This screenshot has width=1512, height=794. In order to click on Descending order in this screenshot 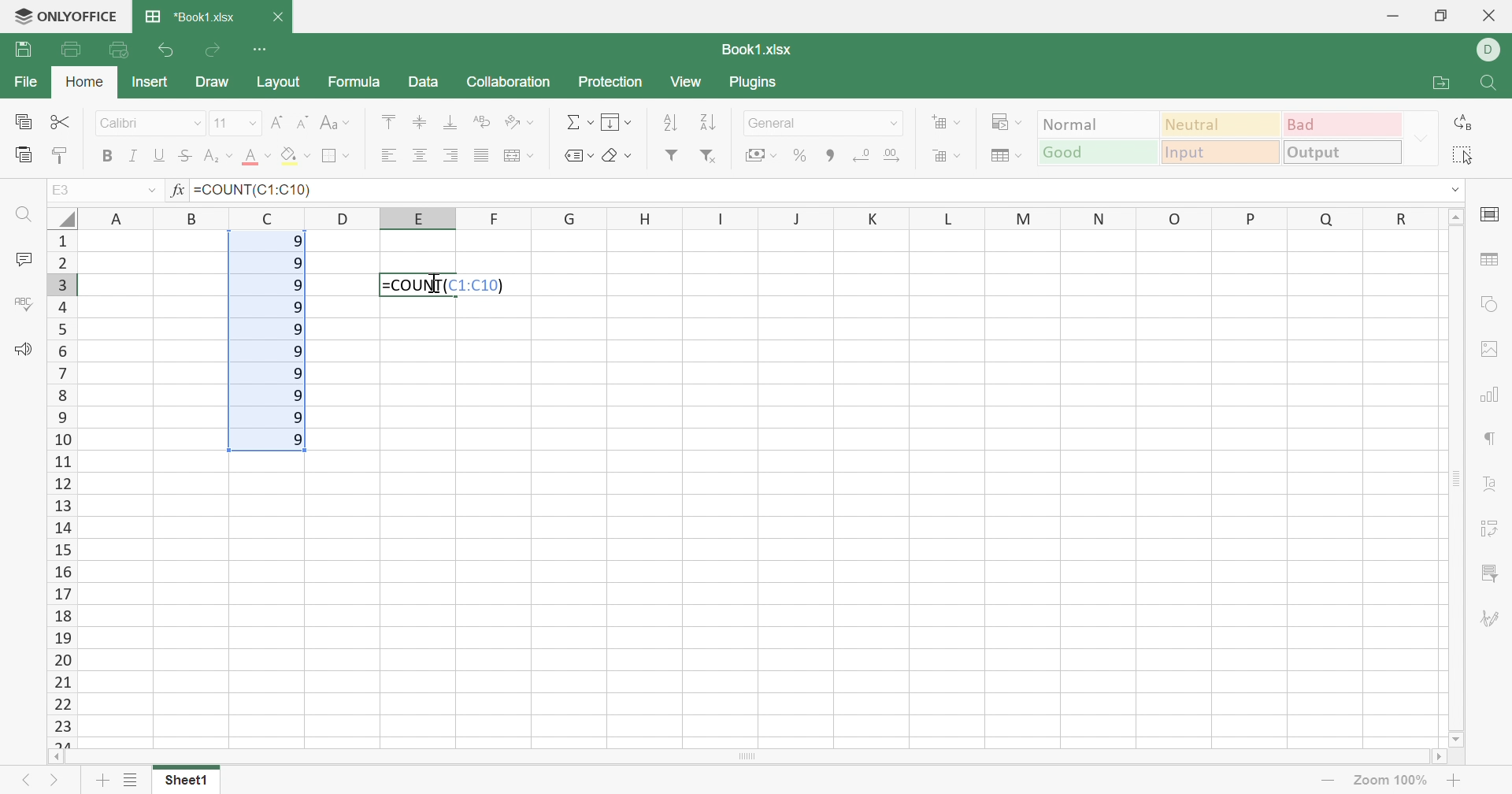, I will do `click(710, 121)`.